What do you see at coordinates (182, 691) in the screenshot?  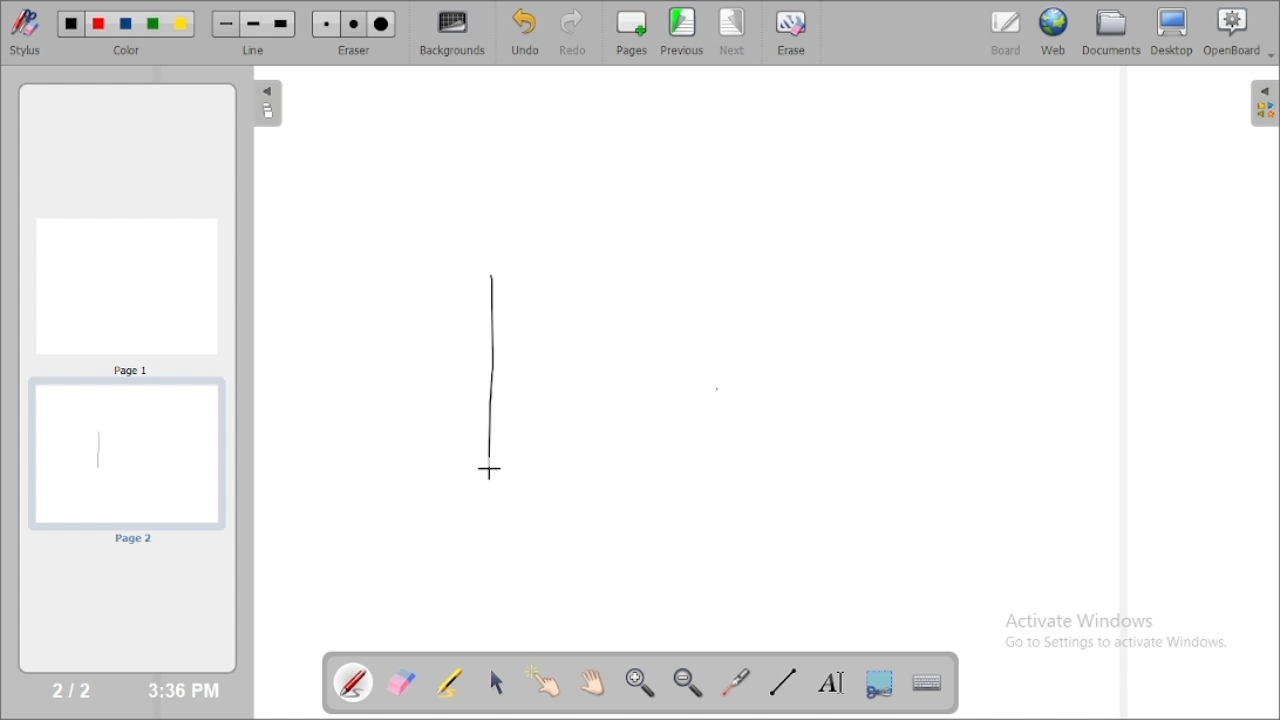 I see `3:36 PM` at bounding box center [182, 691].